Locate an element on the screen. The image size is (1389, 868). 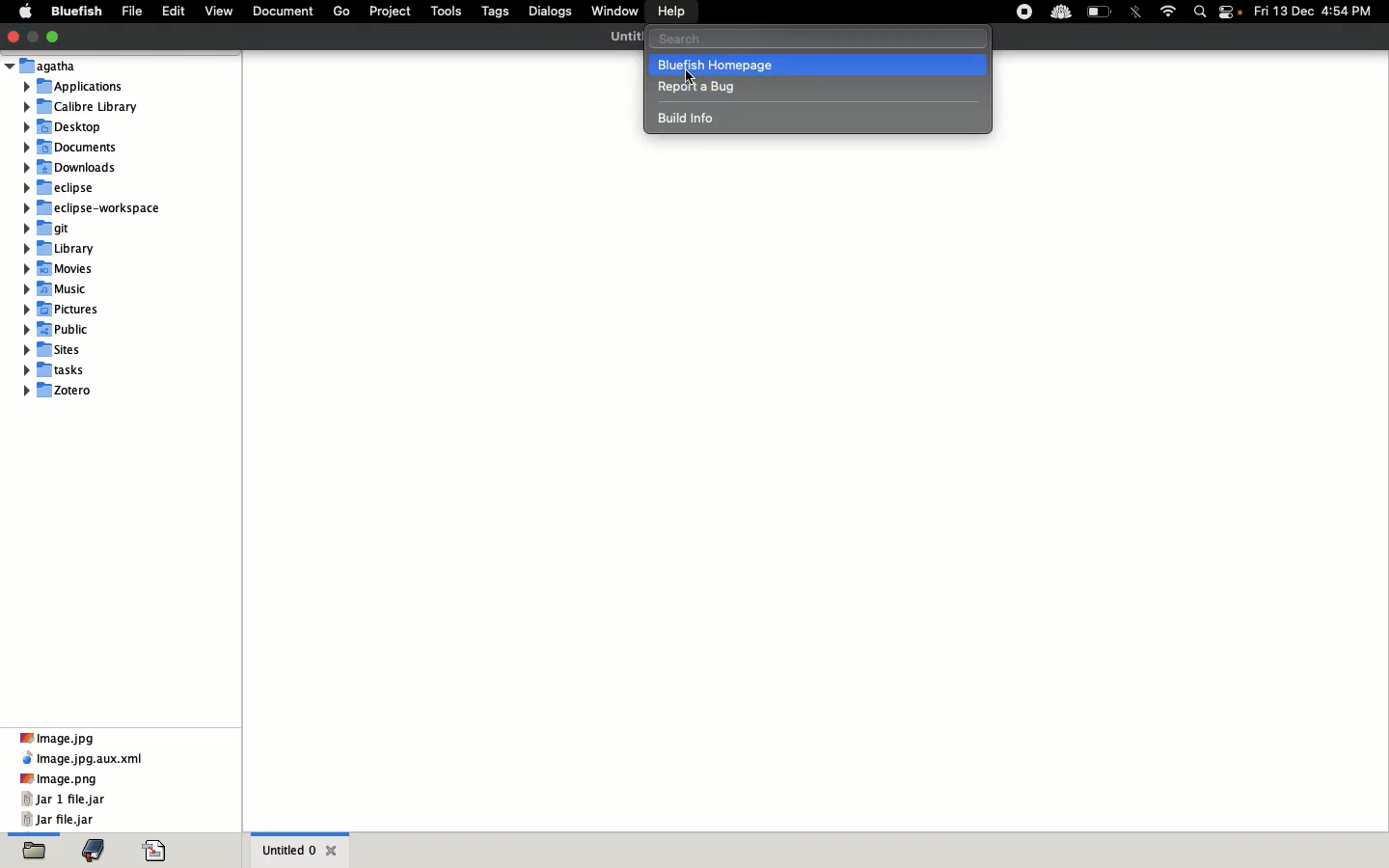
Dialogs is located at coordinates (551, 12).